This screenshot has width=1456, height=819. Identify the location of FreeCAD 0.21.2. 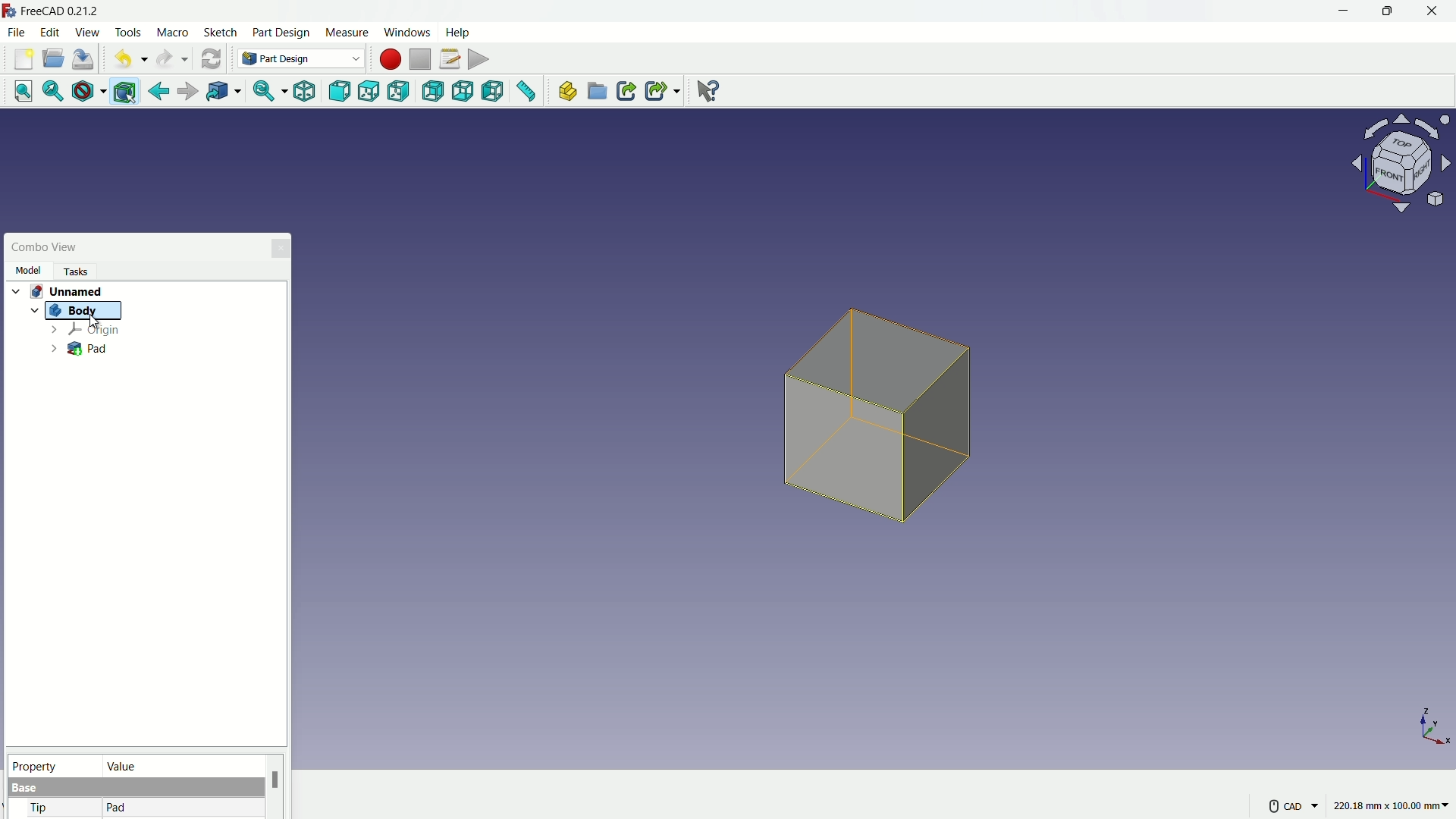
(53, 10).